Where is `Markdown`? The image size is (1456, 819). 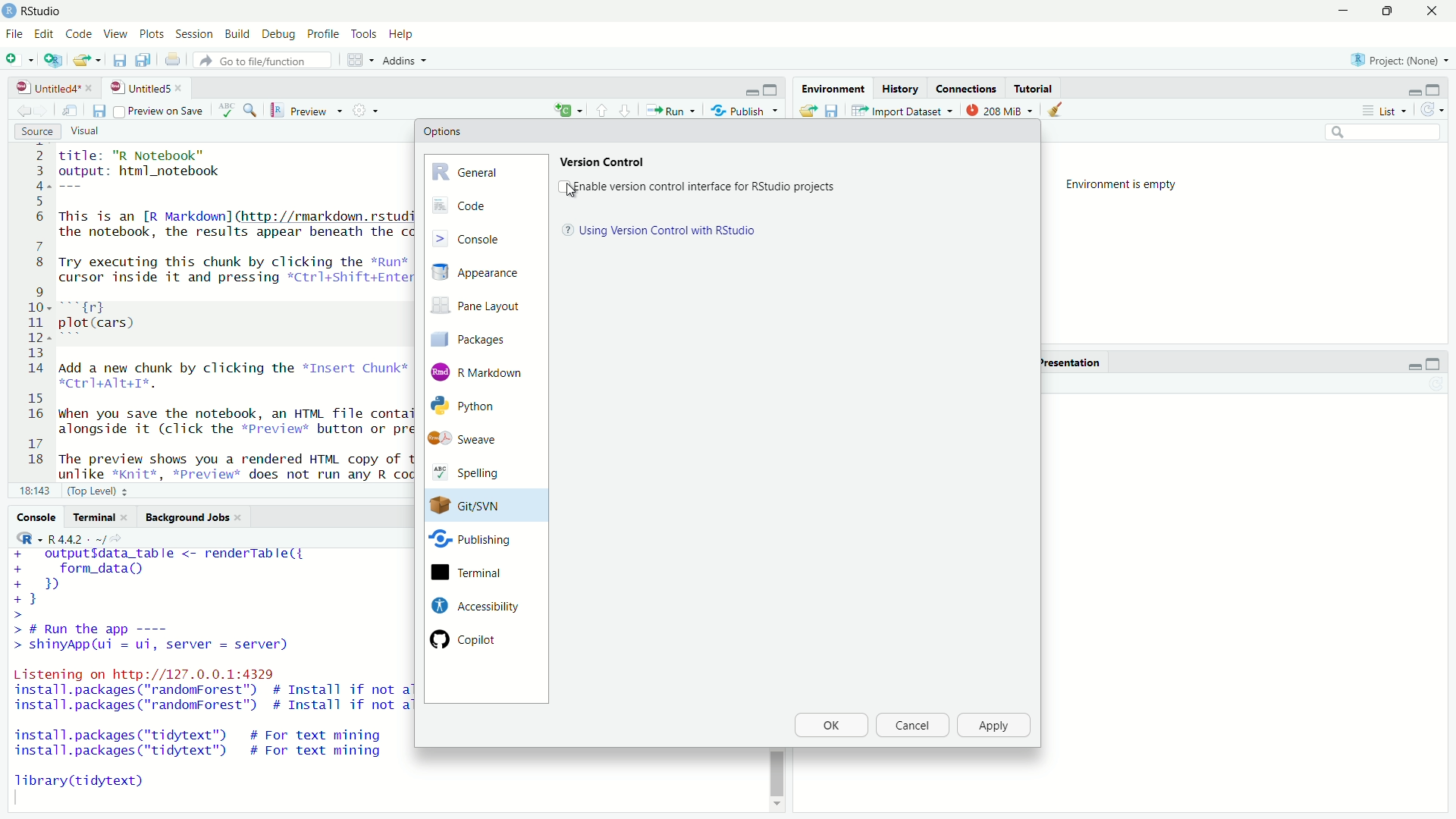 Markdown is located at coordinates (480, 371).